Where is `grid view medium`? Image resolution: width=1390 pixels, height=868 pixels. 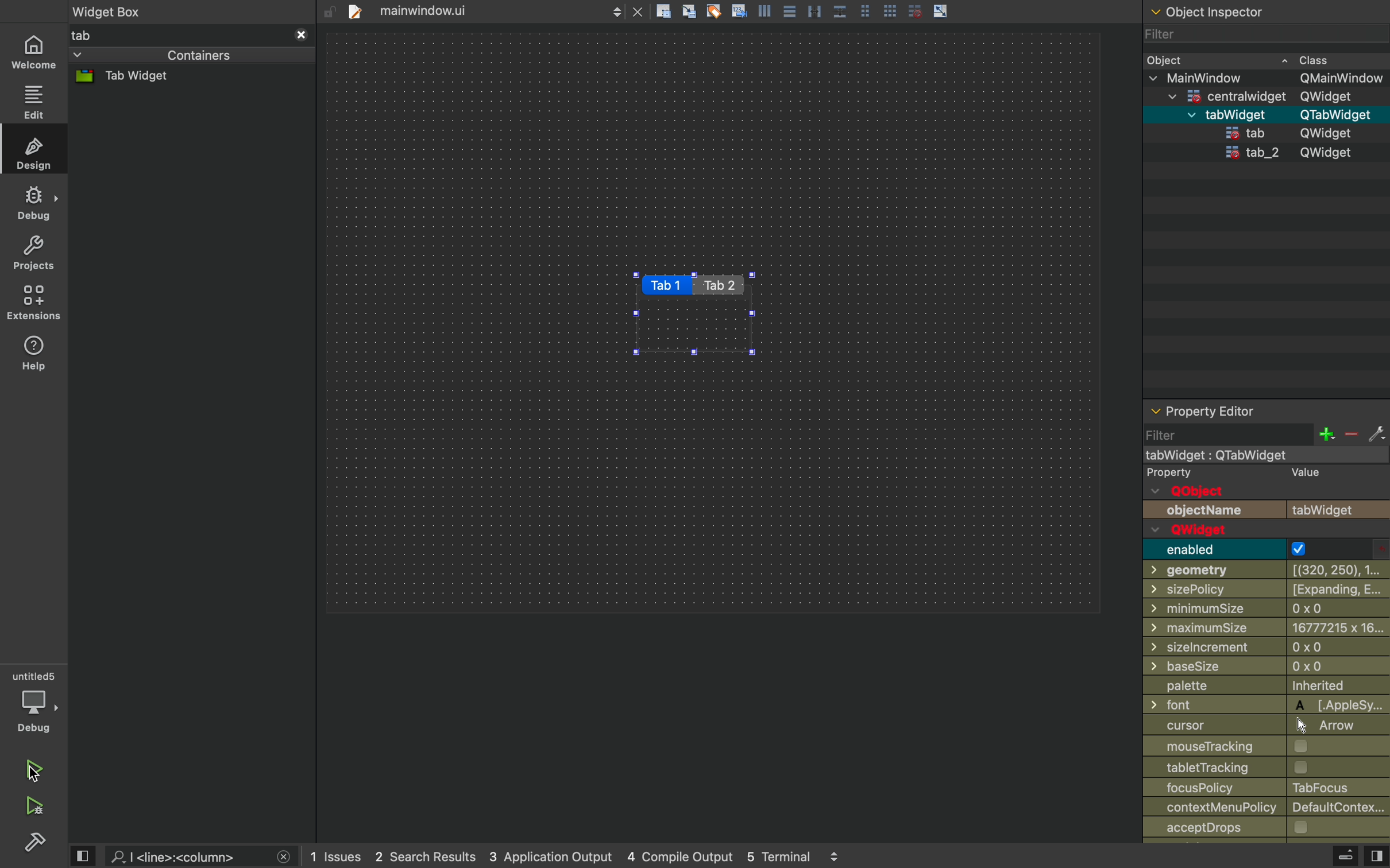 grid view medium is located at coordinates (866, 10).